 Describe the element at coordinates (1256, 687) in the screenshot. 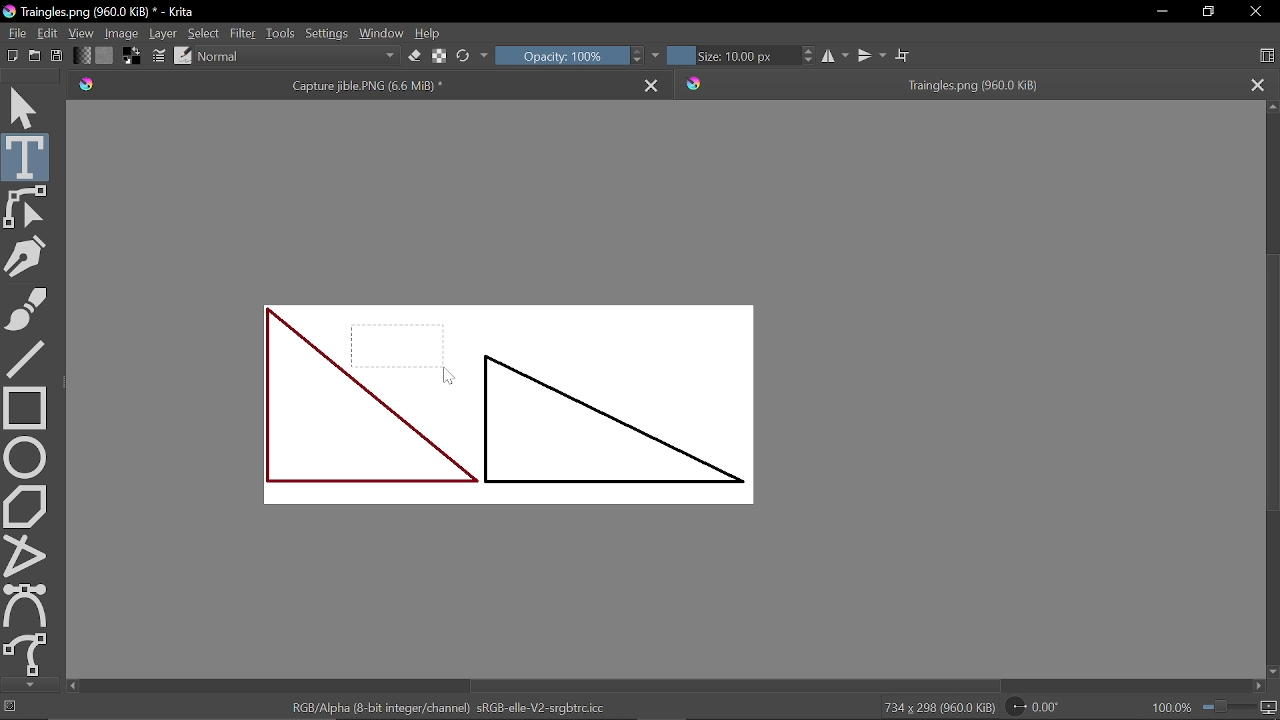

I see `Move right` at that location.